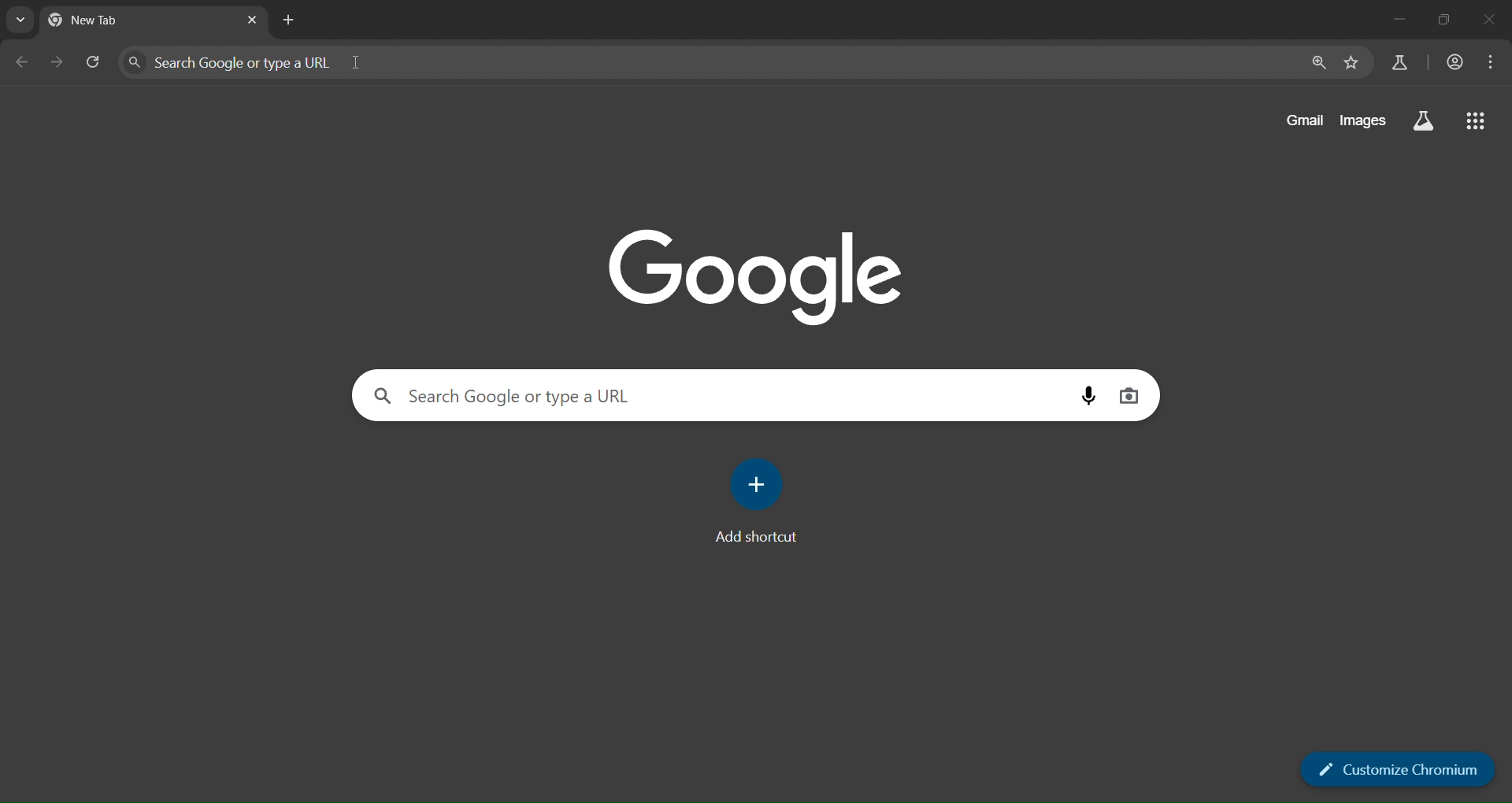  What do you see at coordinates (680, 62) in the screenshot?
I see `Search Google or type a URL` at bounding box center [680, 62].